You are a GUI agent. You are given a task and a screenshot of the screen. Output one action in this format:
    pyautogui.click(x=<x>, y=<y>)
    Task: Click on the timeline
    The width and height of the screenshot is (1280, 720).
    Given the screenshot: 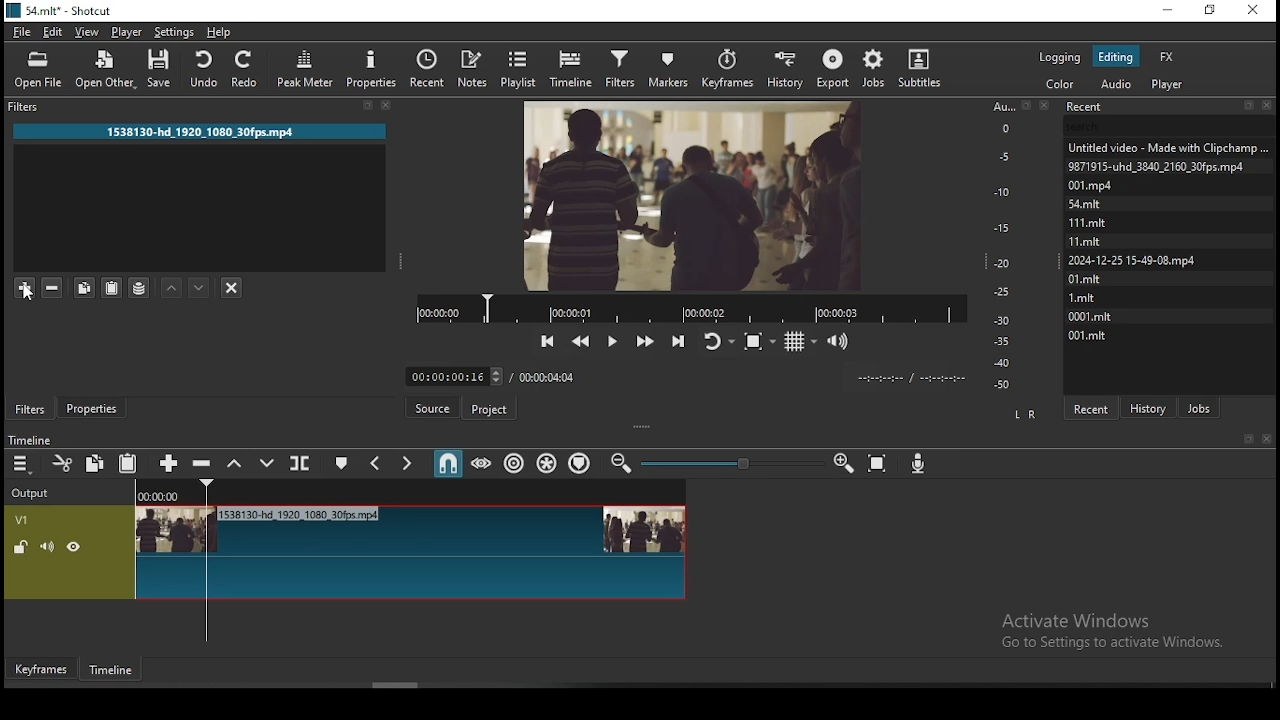 What is the action you would take?
    pyautogui.click(x=114, y=674)
    